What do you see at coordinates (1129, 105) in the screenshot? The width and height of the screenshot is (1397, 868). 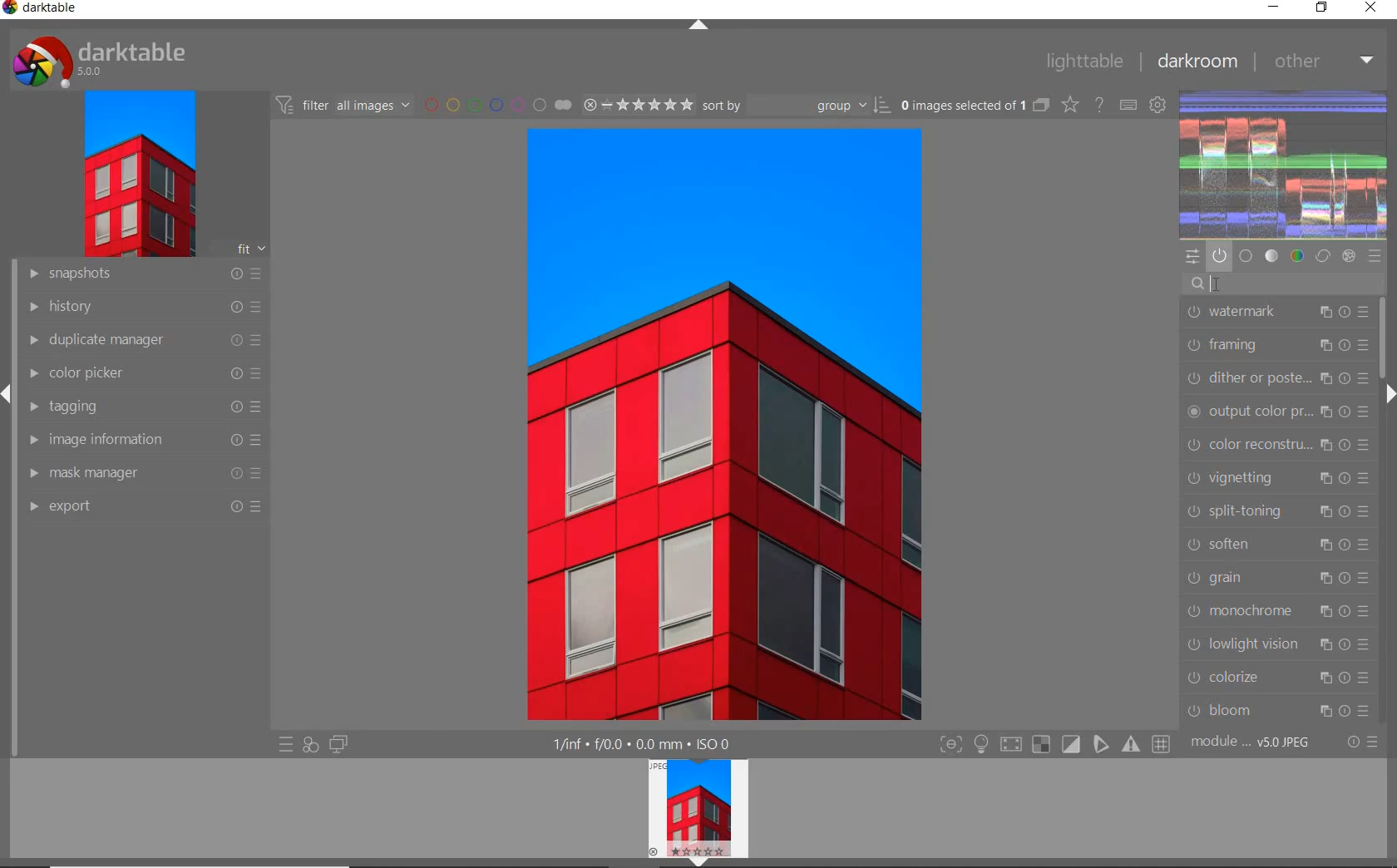 I see `define keyboard shortcuts` at bounding box center [1129, 105].